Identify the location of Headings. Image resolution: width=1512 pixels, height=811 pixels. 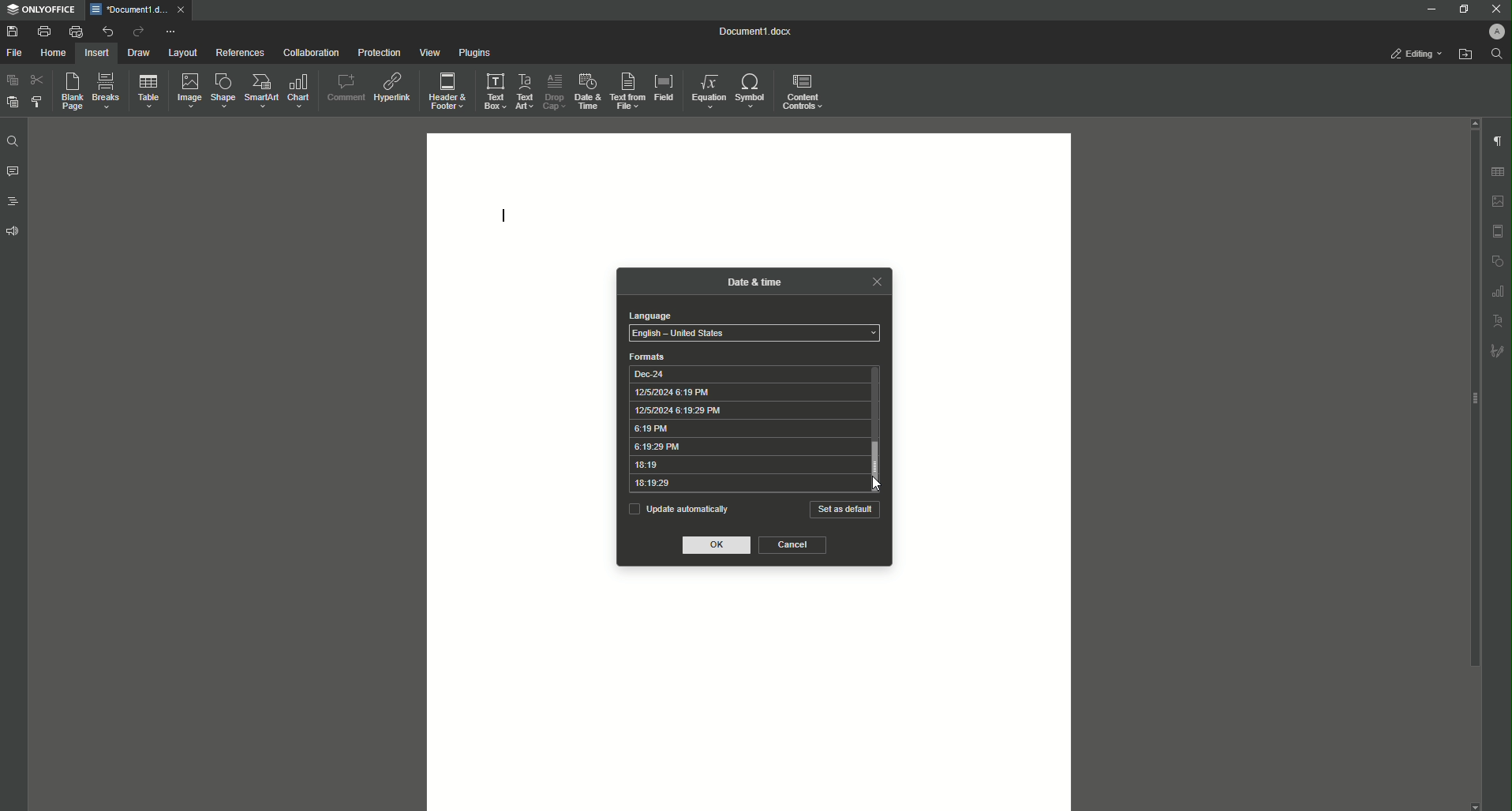
(12, 200).